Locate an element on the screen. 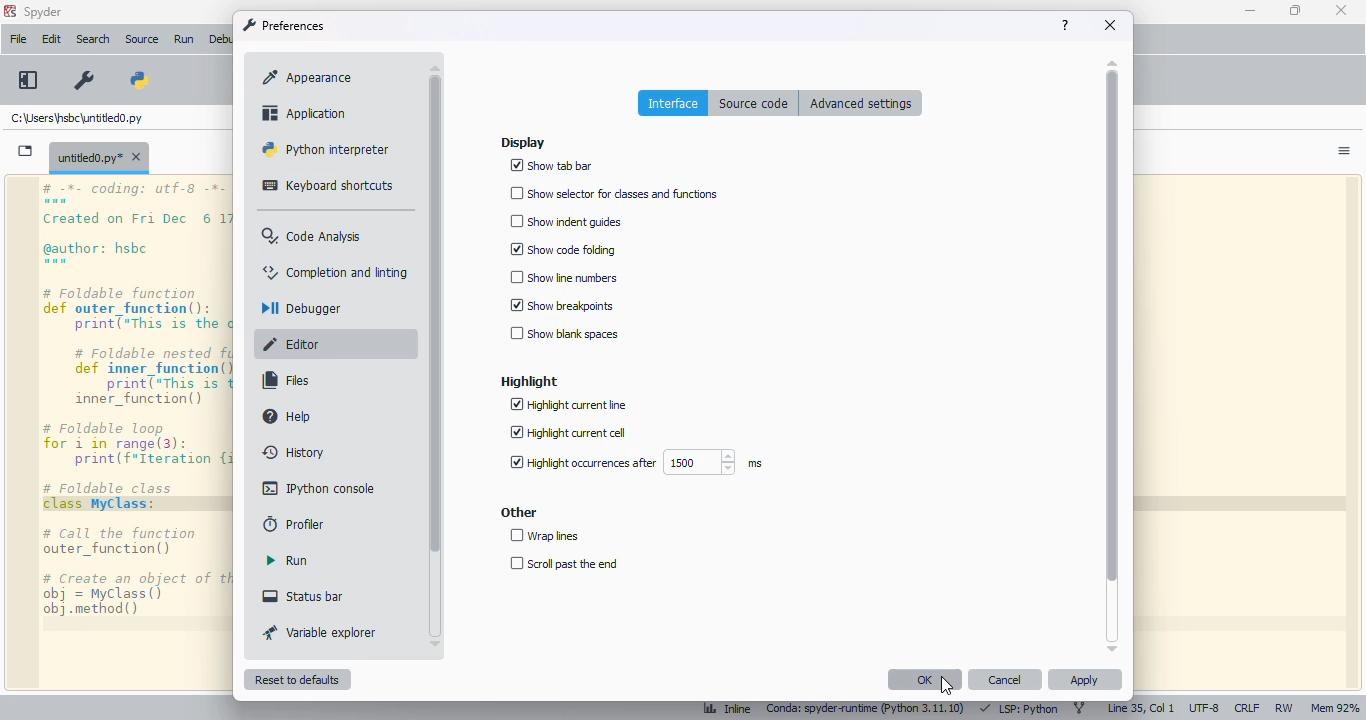 The image size is (1366, 720). search is located at coordinates (93, 39).